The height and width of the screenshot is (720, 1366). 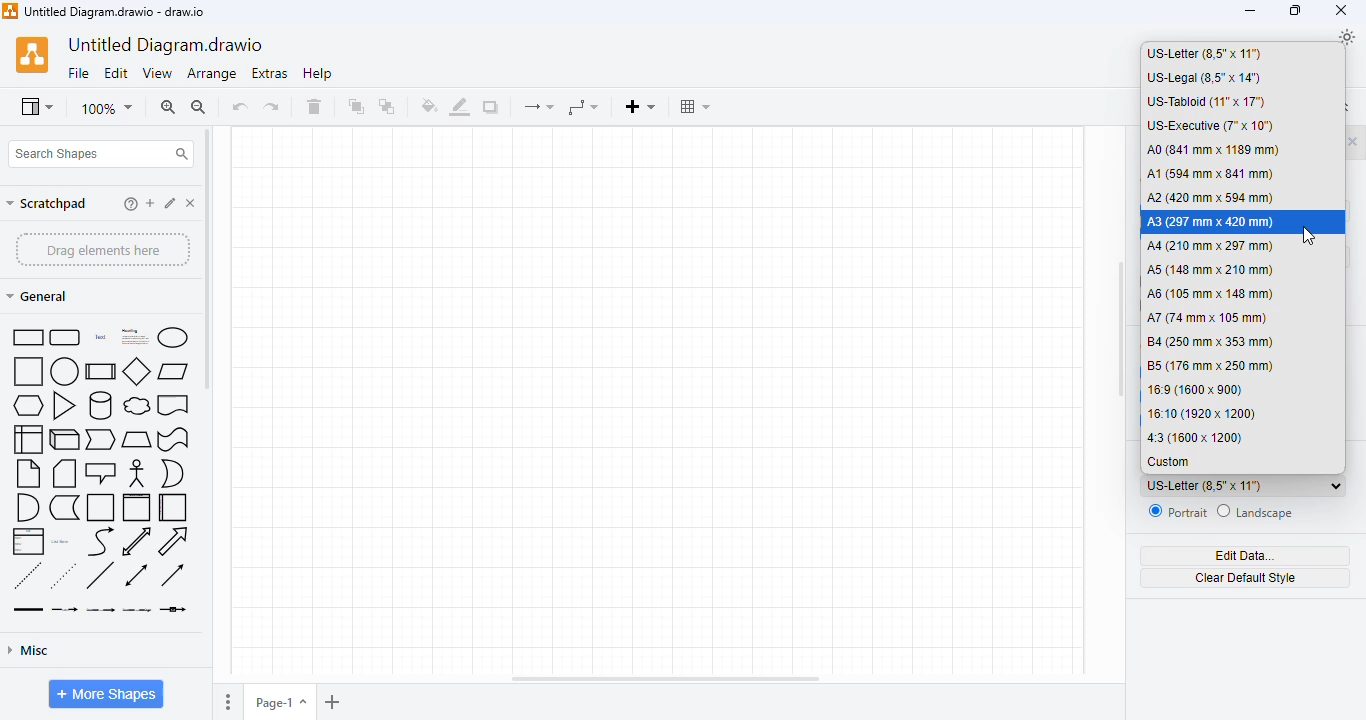 I want to click on A7, so click(x=1207, y=318).